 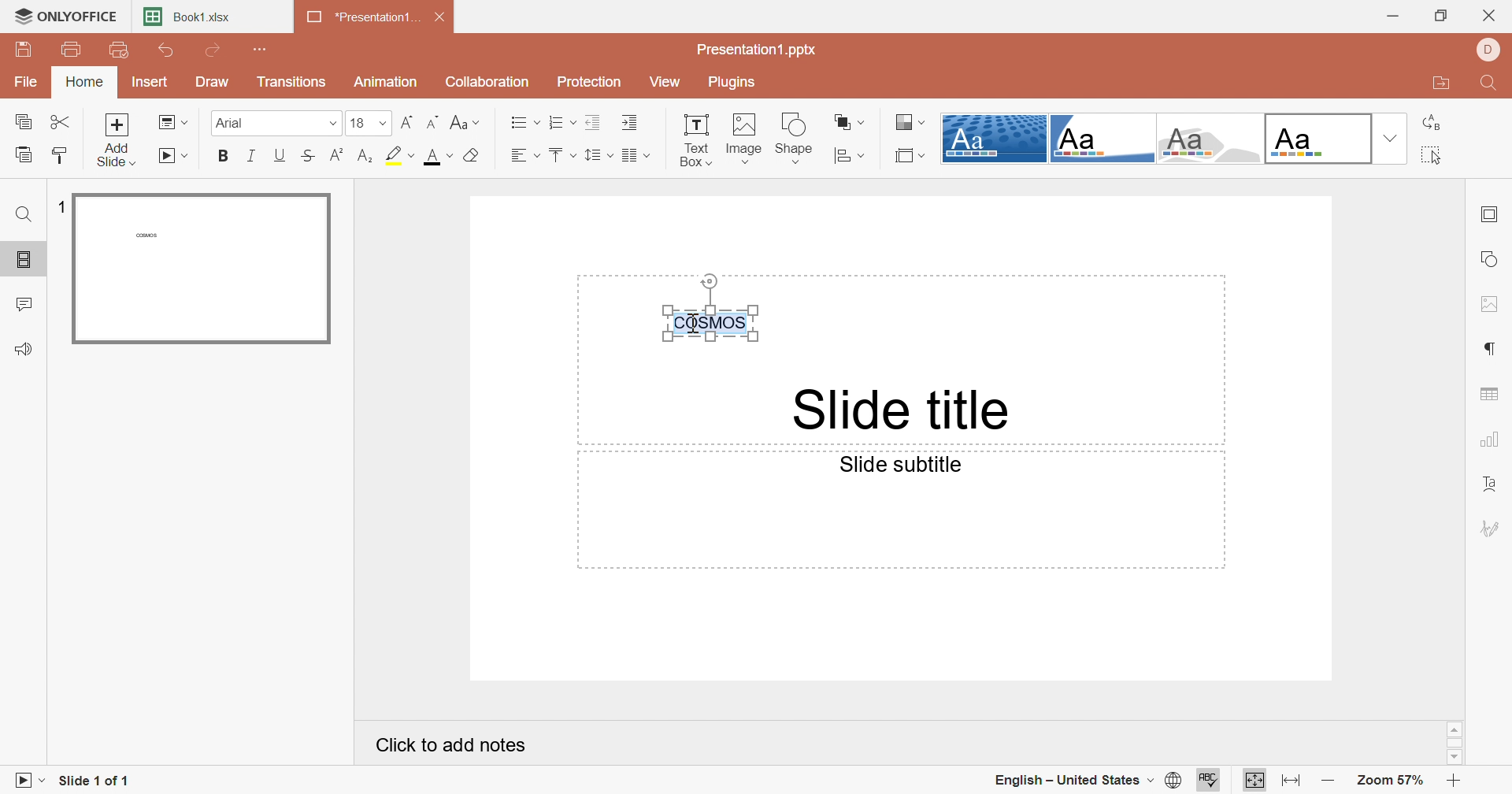 What do you see at coordinates (26, 213) in the screenshot?
I see `Find` at bounding box center [26, 213].